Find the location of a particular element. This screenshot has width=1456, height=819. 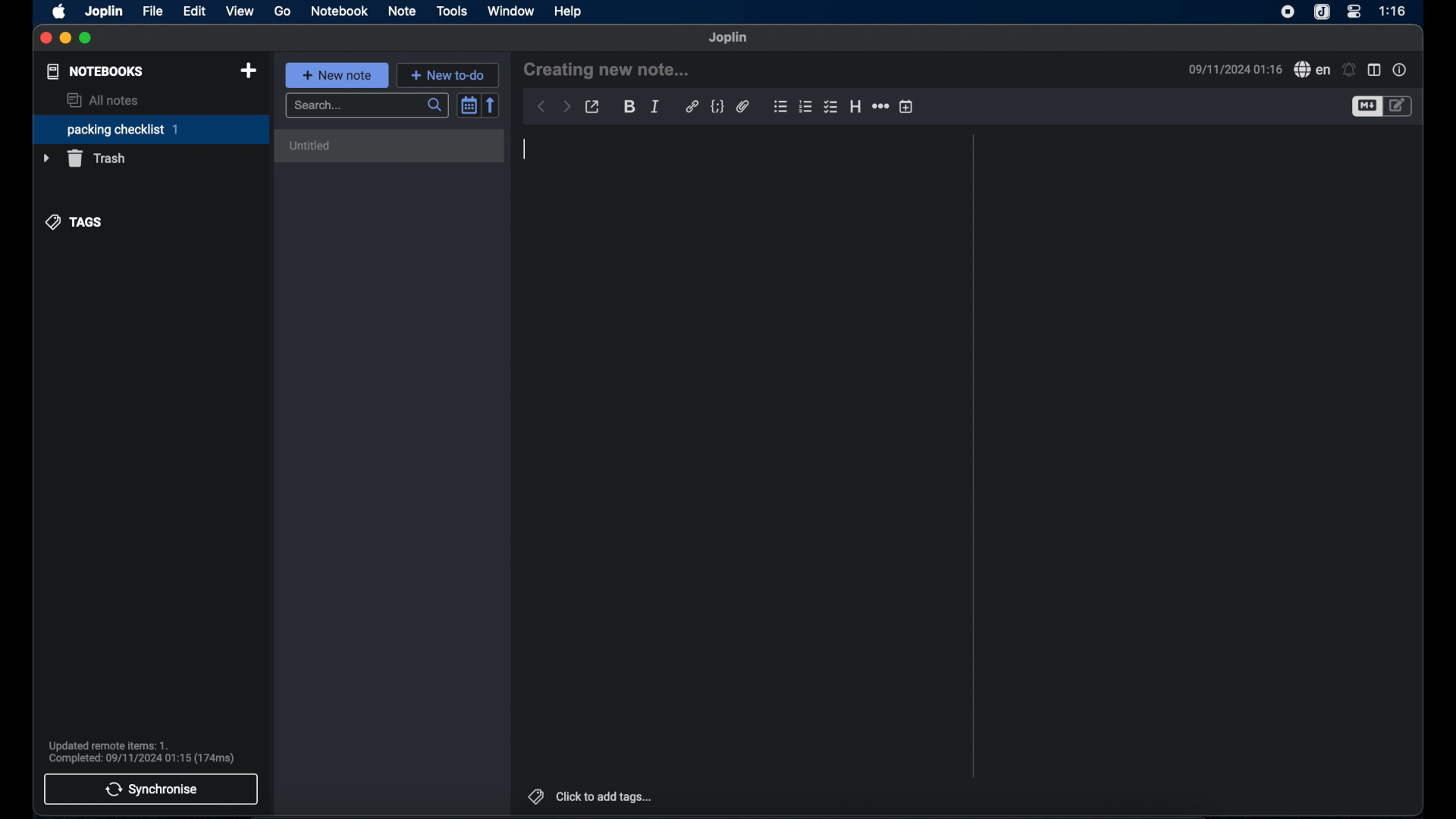

italic is located at coordinates (654, 105).